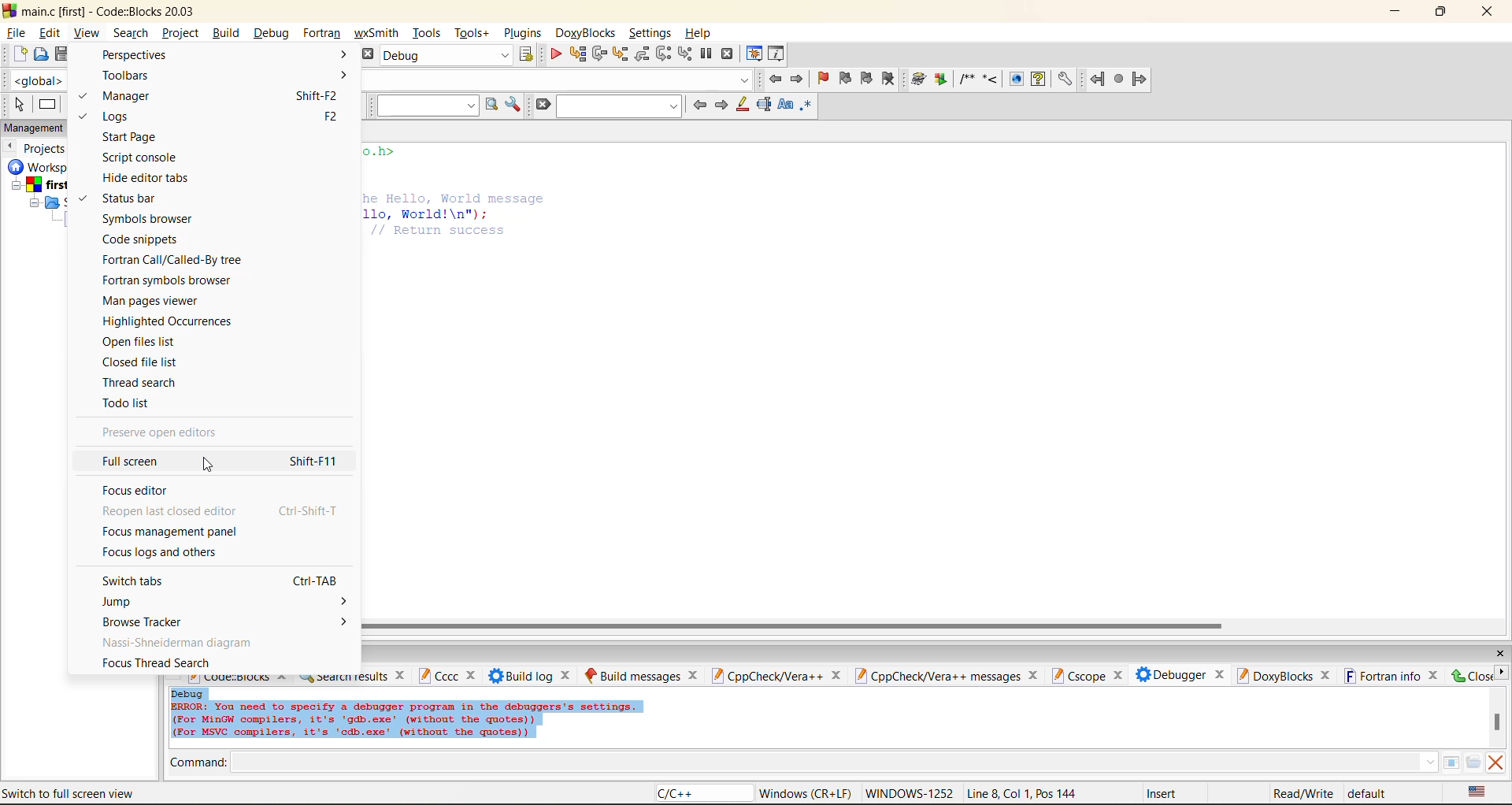  I want to click on focus management panel, so click(174, 532).